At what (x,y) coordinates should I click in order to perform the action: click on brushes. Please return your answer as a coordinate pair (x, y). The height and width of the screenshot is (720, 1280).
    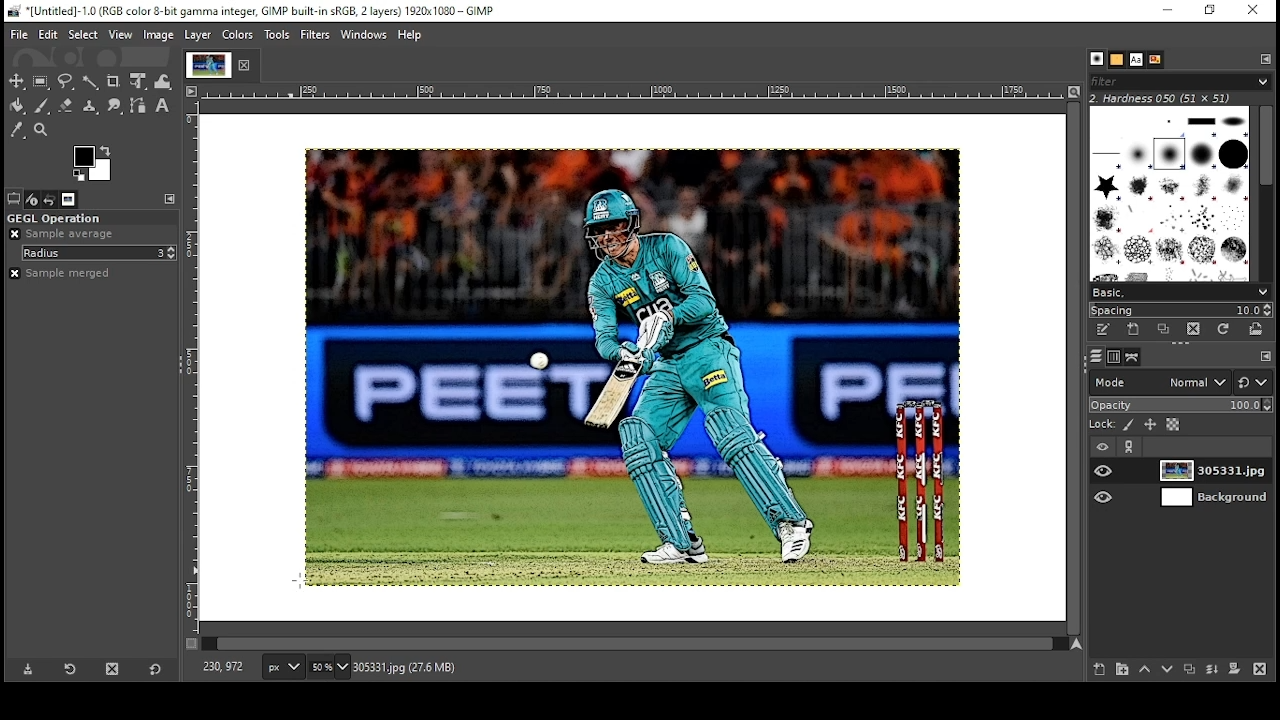
    Looking at the image, I should click on (1179, 81).